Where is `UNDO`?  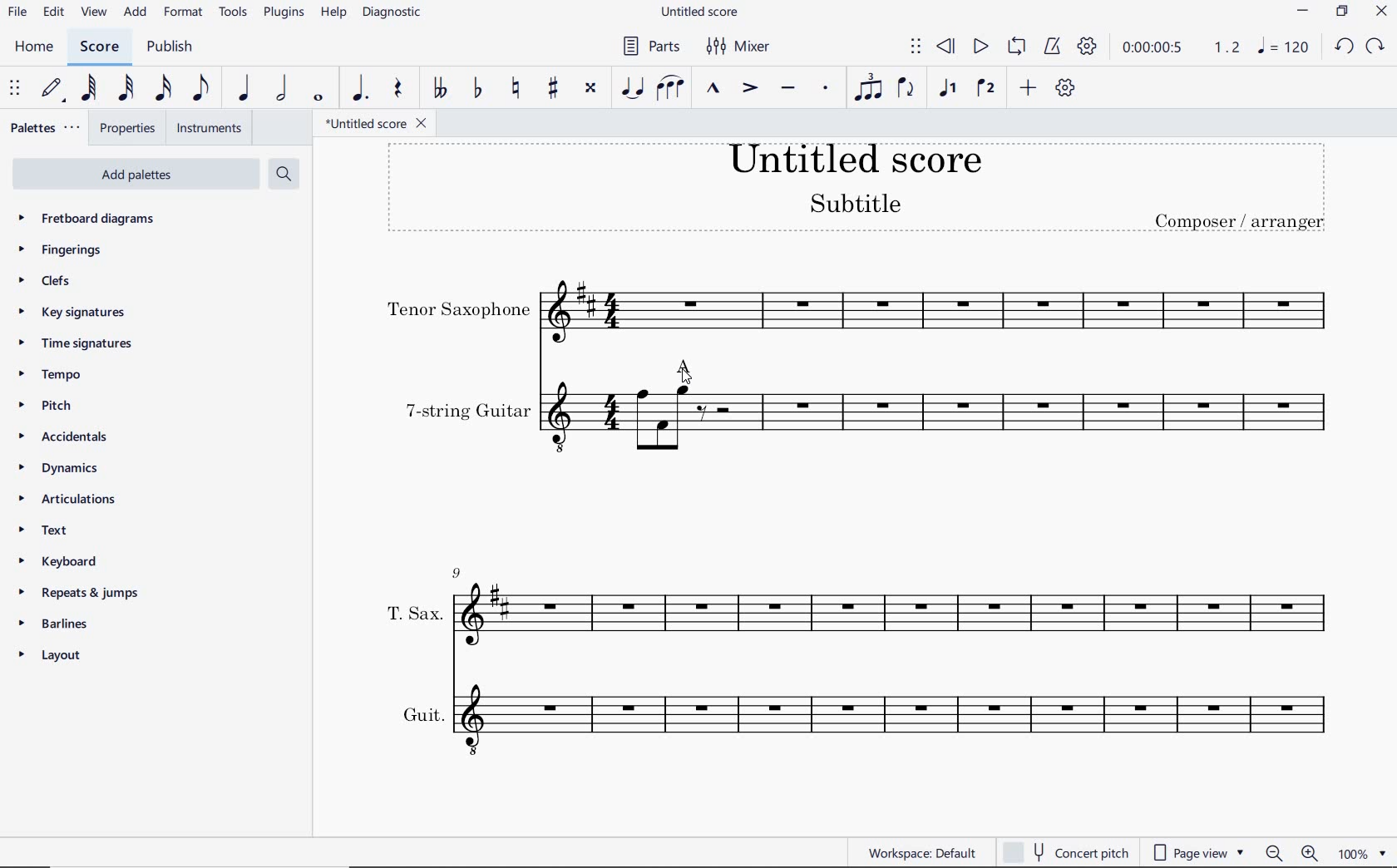
UNDO is located at coordinates (1342, 47).